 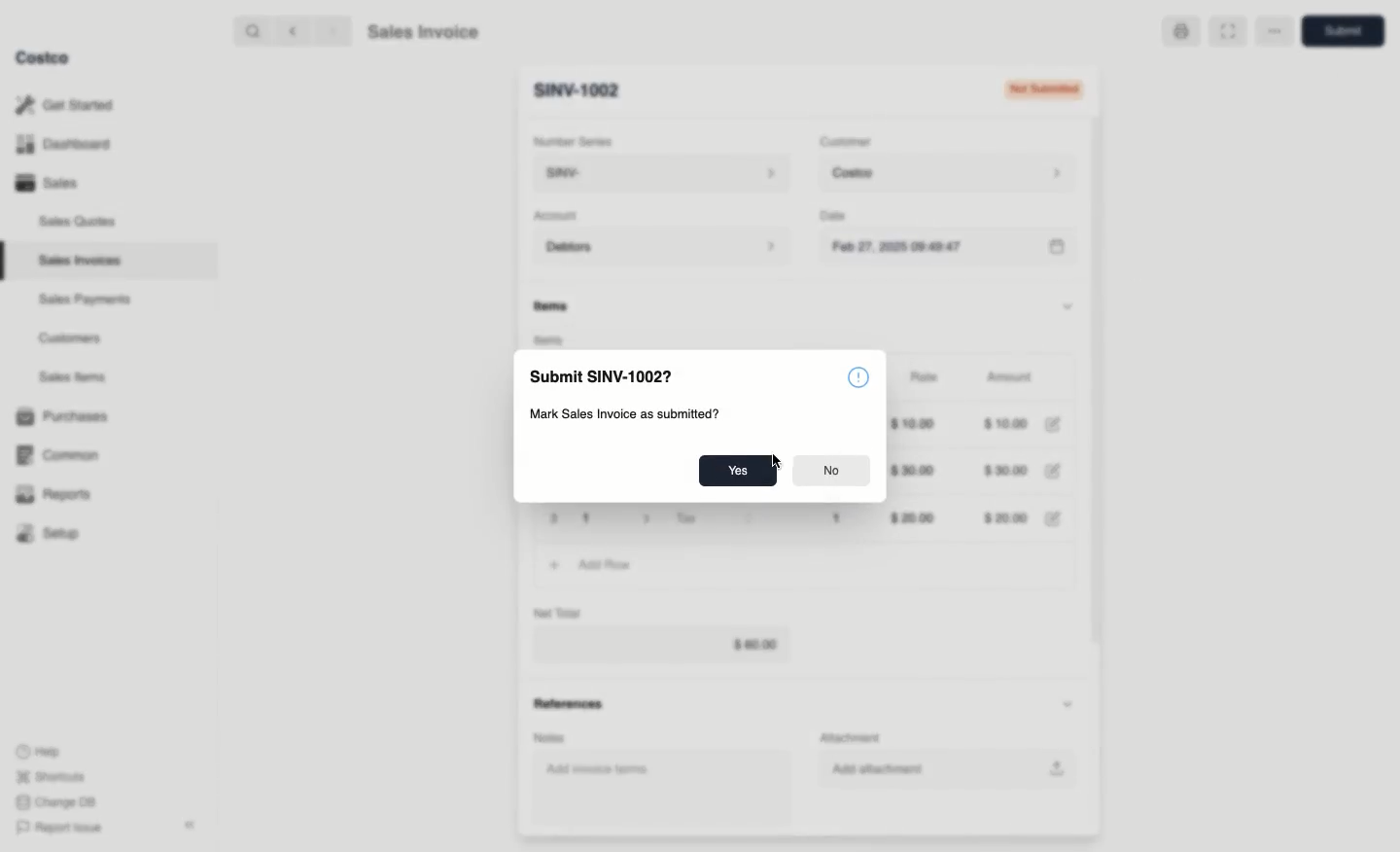 I want to click on Sales Items, so click(x=75, y=375).